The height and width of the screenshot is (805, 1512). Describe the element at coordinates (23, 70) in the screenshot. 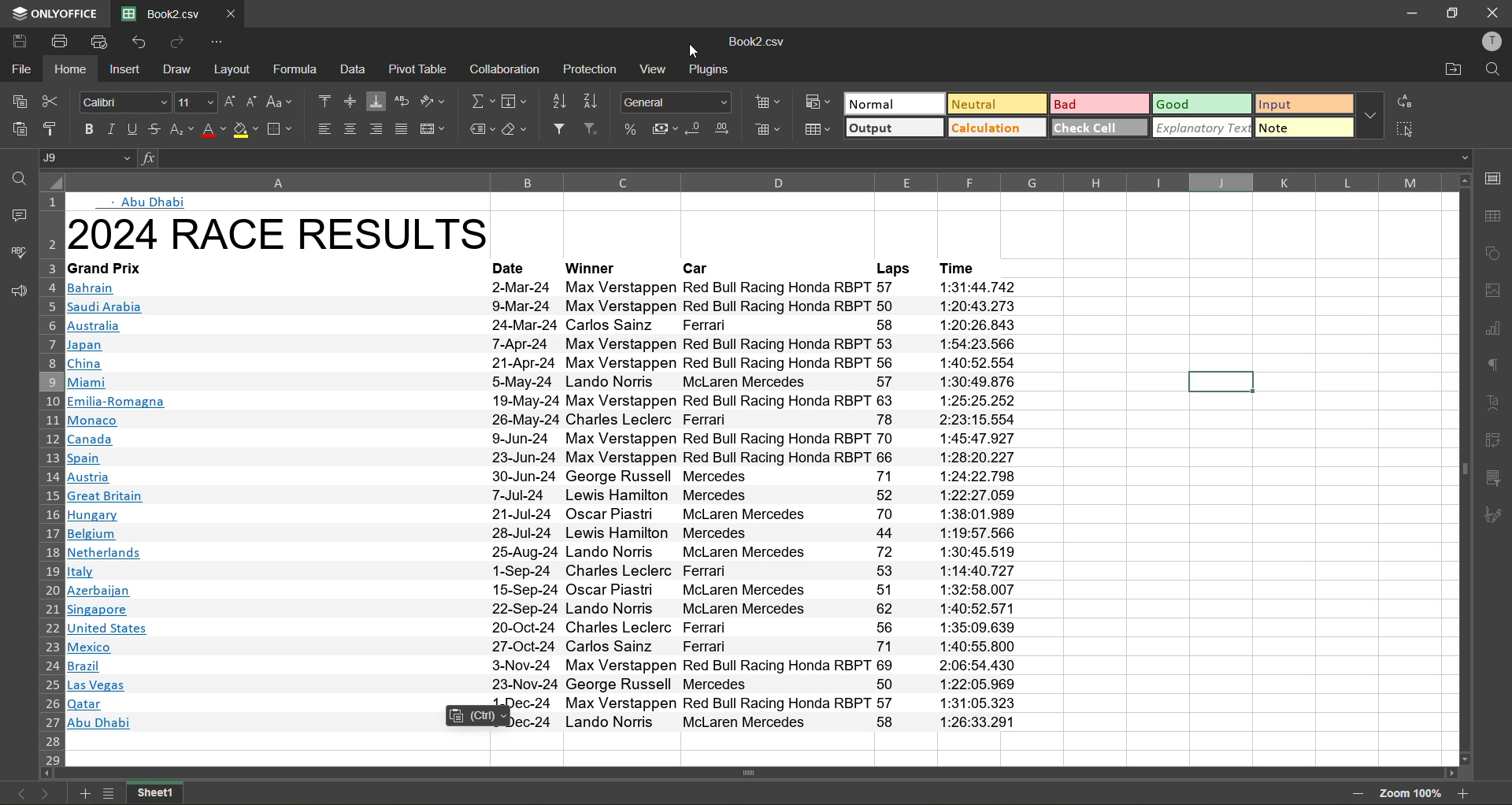

I see `file` at that location.